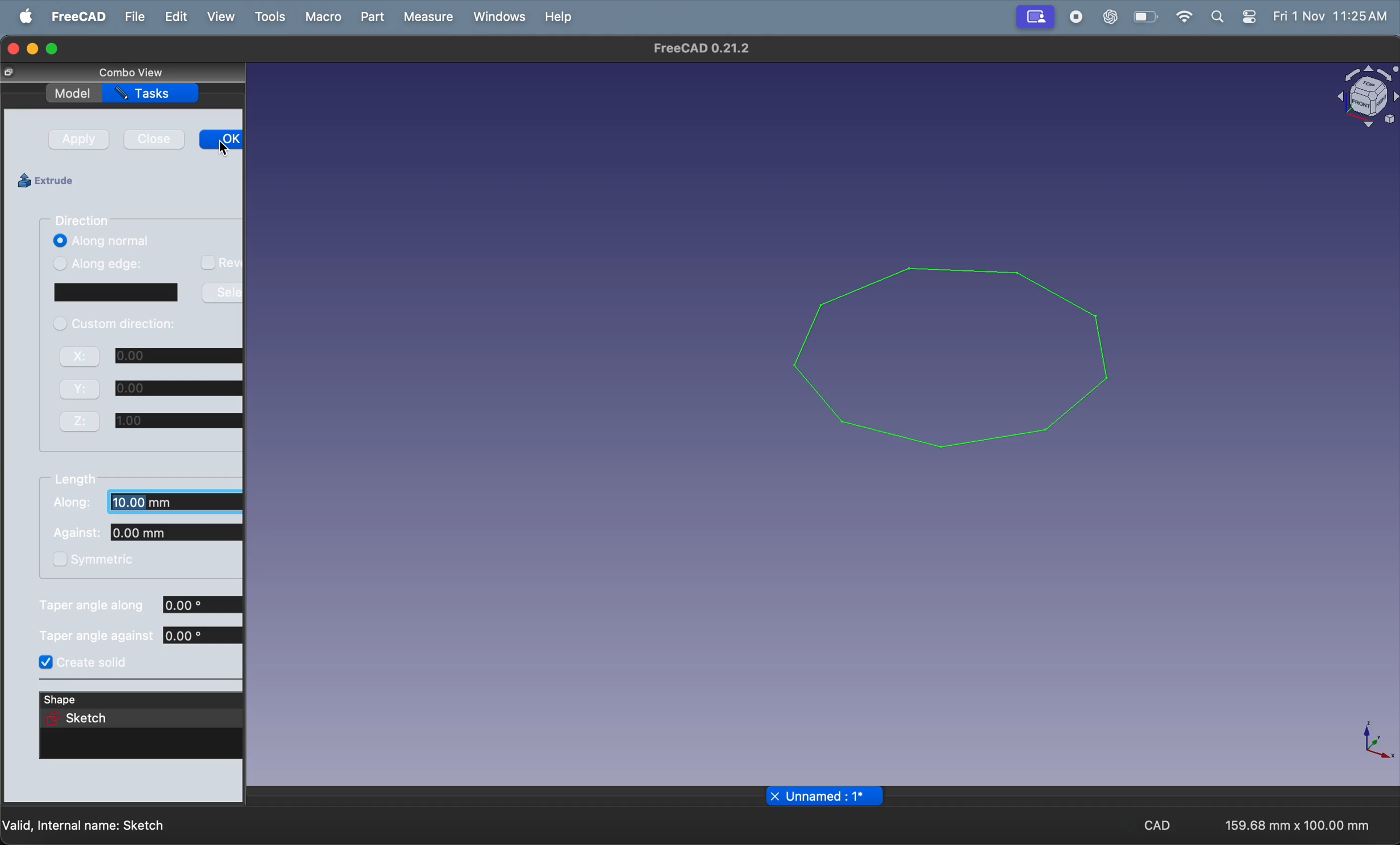  Describe the element at coordinates (144, 355) in the screenshot. I see `X 0.00` at that location.